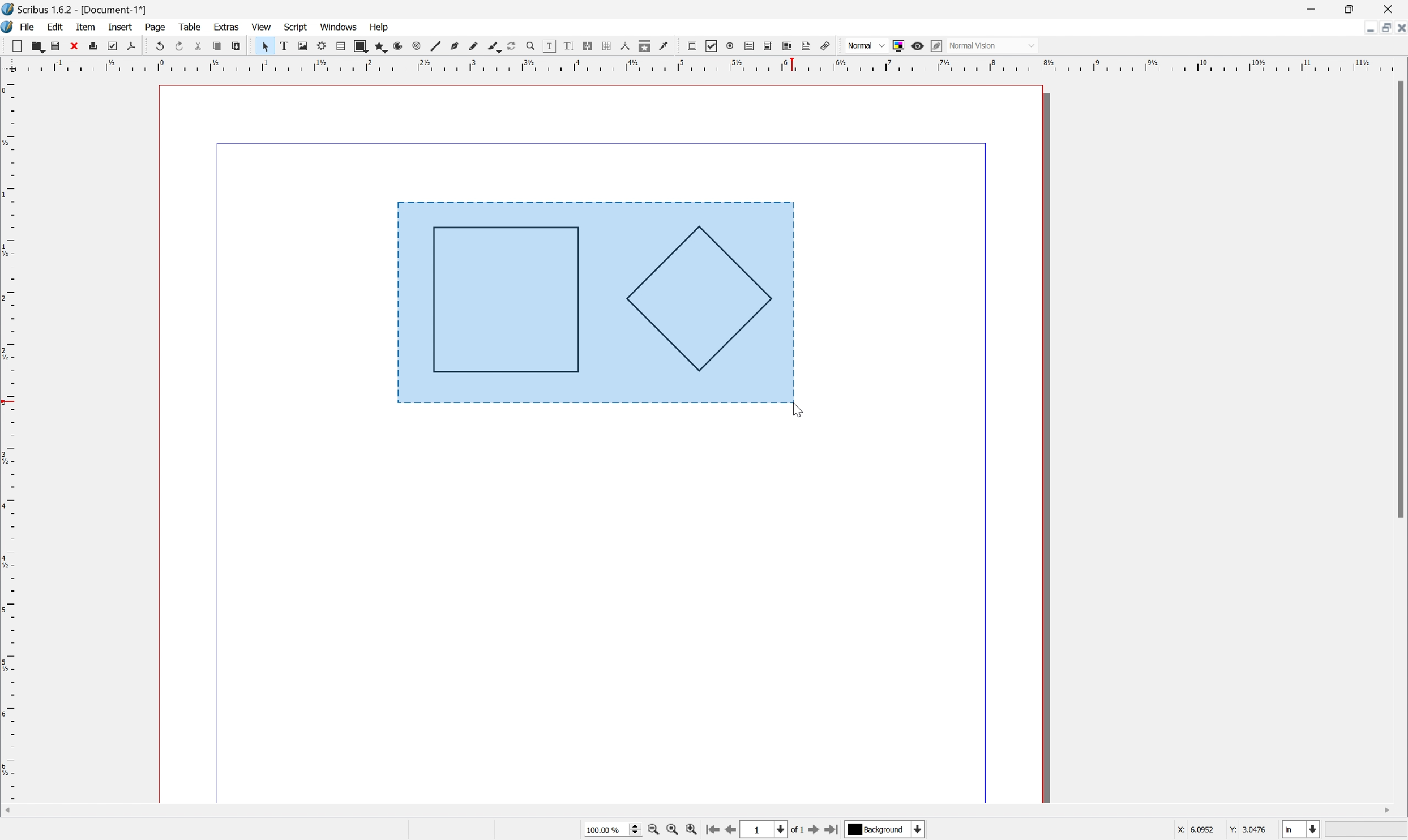 This screenshot has height=840, width=1408. What do you see at coordinates (1365, 29) in the screenshot?
I see `Minimize` at bounding box center [1365, 29].